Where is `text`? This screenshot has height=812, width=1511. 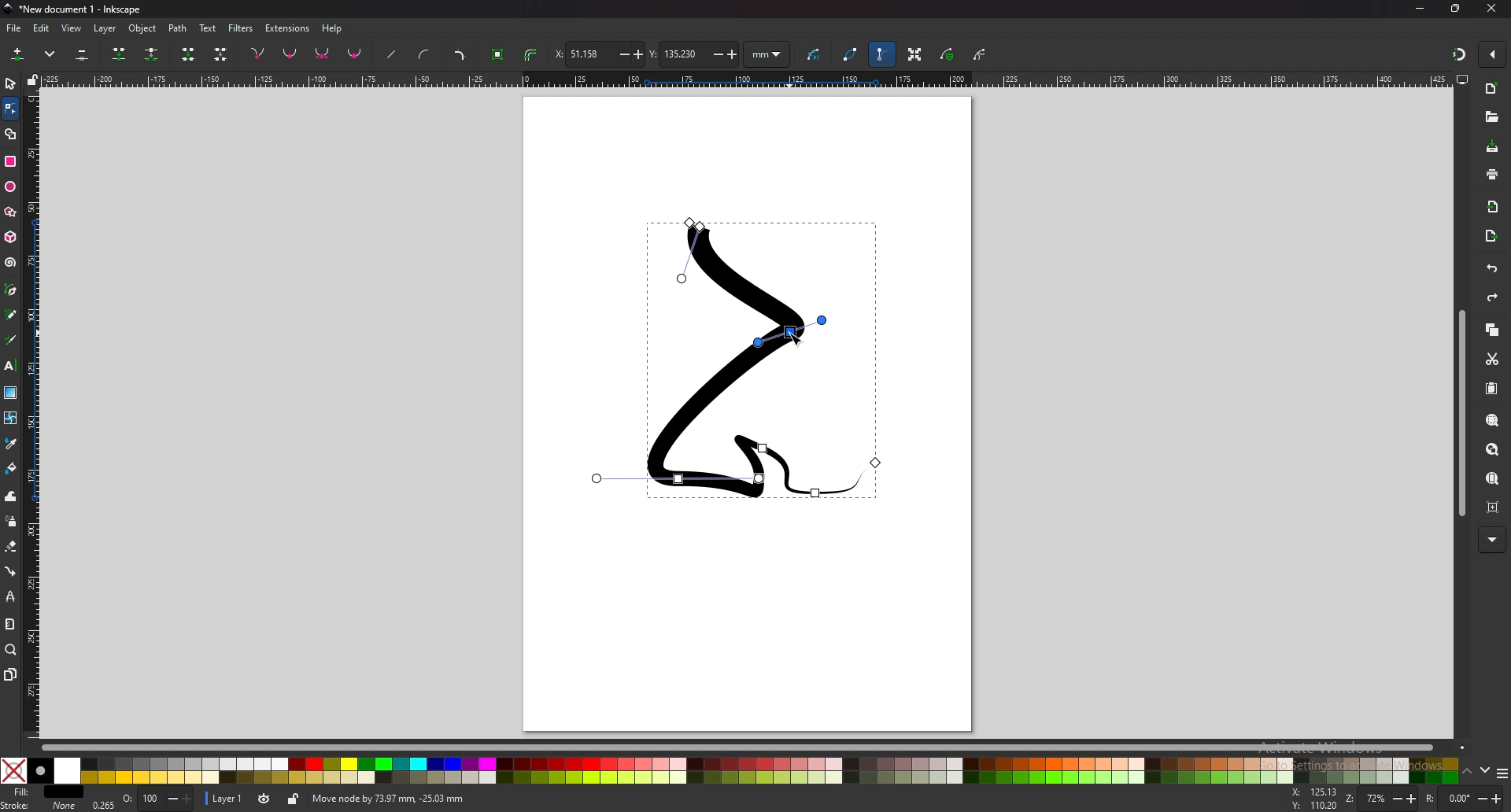 text is located at coordinates (208, 28).